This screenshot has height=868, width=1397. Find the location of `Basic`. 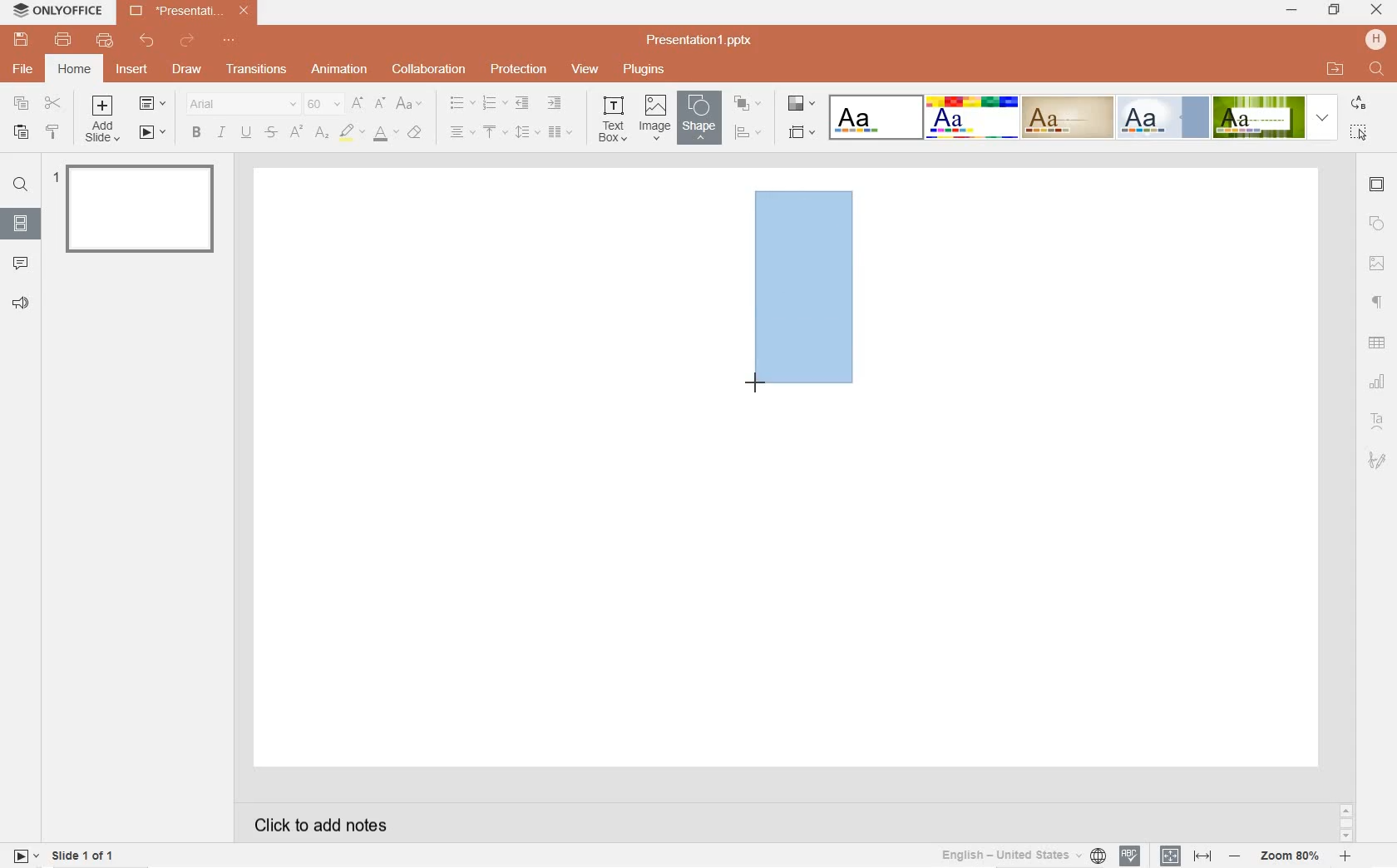

Basic is located at coordinates (972, 117).